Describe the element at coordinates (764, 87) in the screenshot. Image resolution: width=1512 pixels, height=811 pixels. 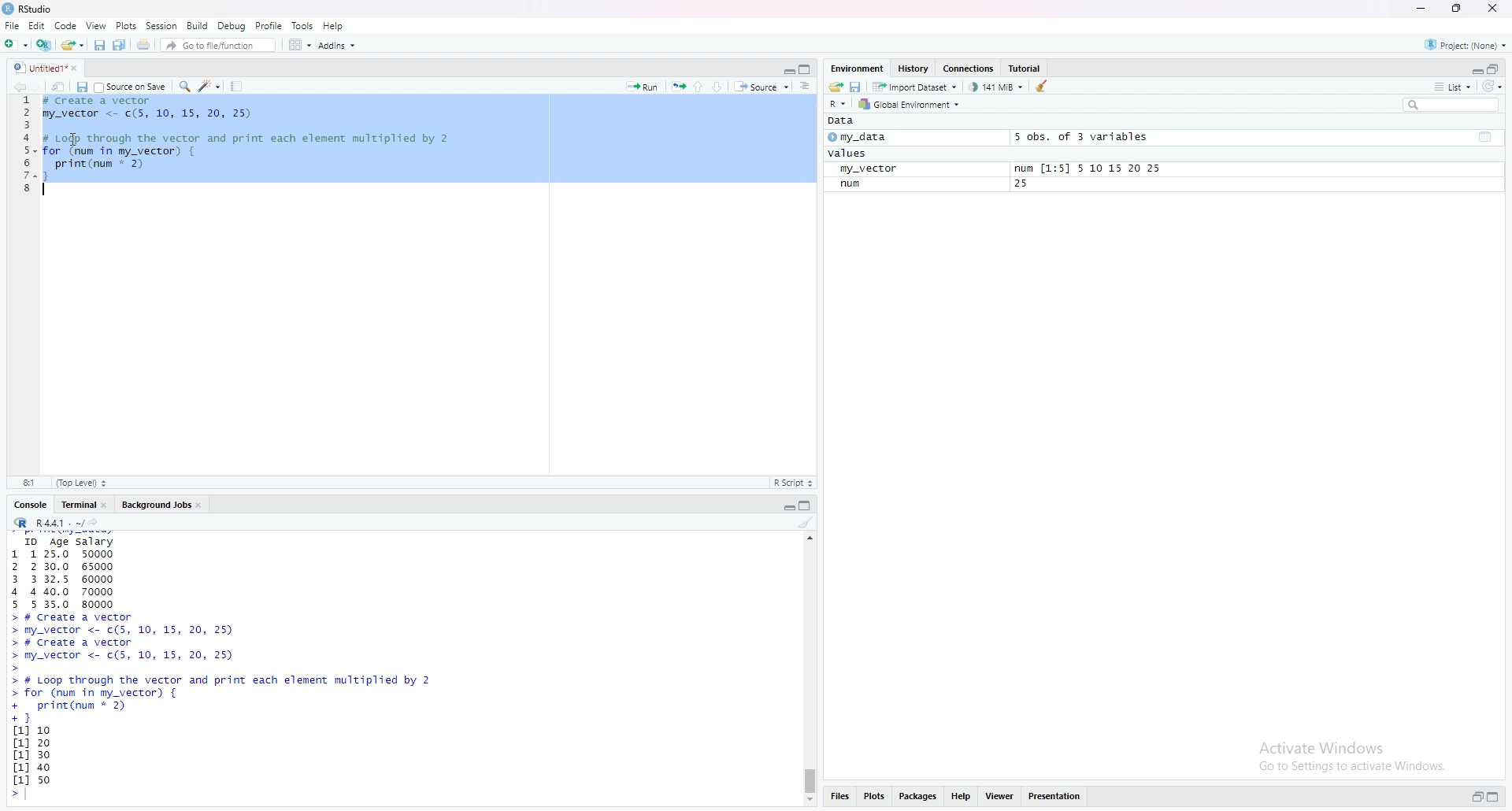
I see `source the content of active document` at that location.